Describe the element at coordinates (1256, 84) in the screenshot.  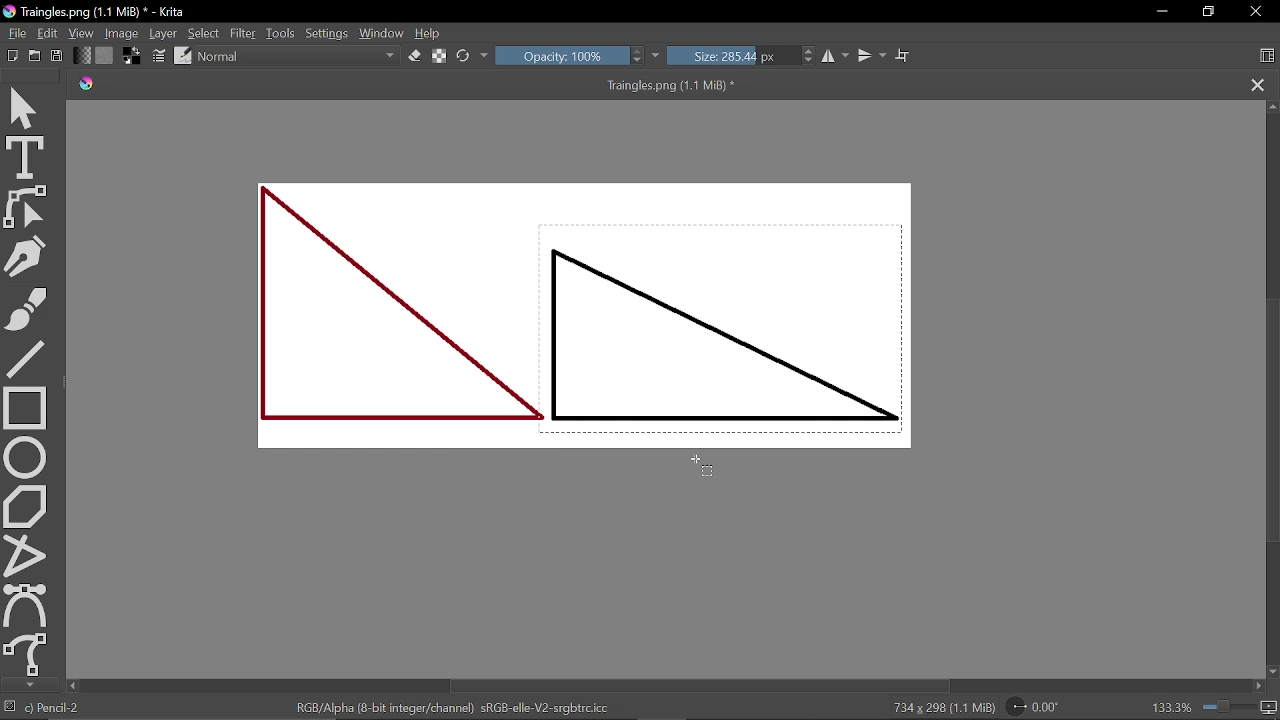
I see `Close tab` at that location.